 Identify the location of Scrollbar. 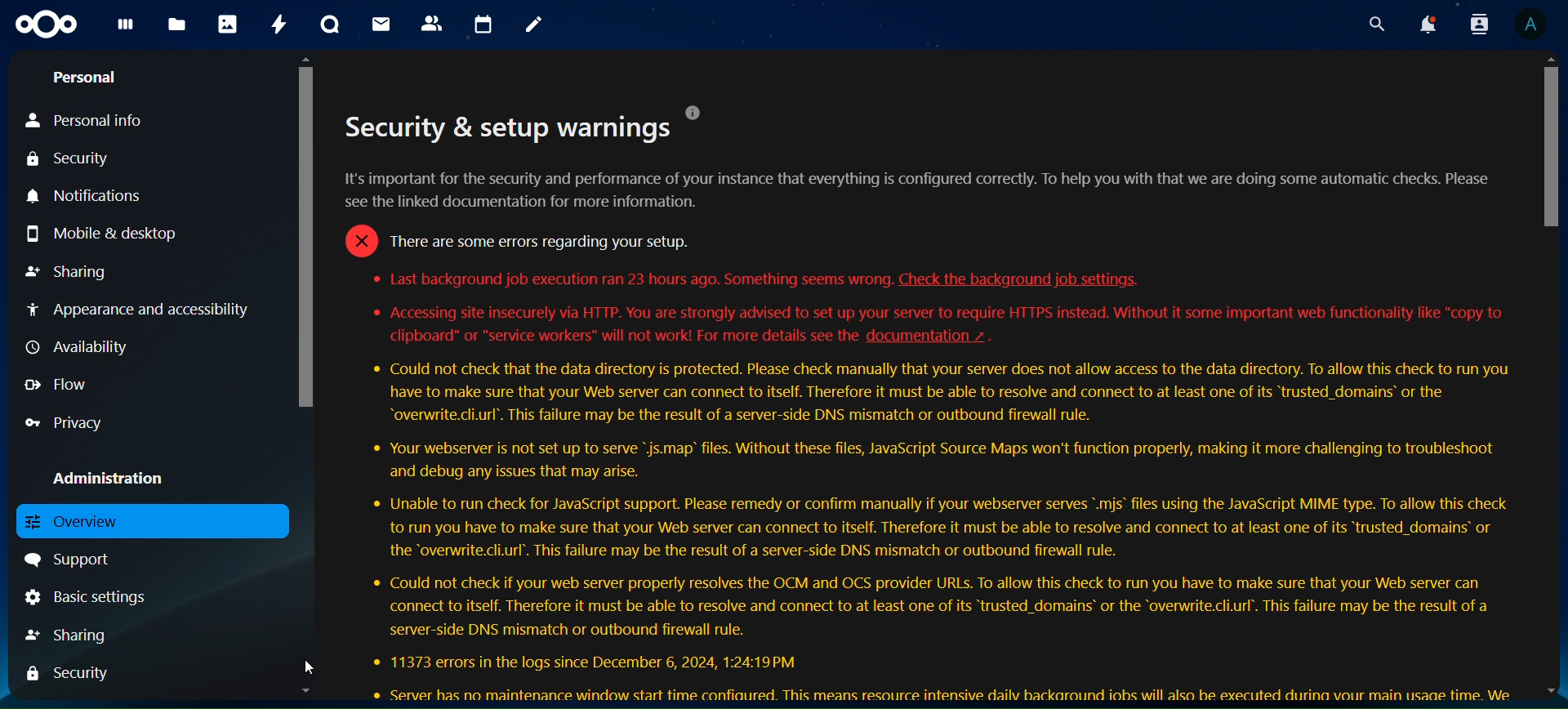
(306, 375).